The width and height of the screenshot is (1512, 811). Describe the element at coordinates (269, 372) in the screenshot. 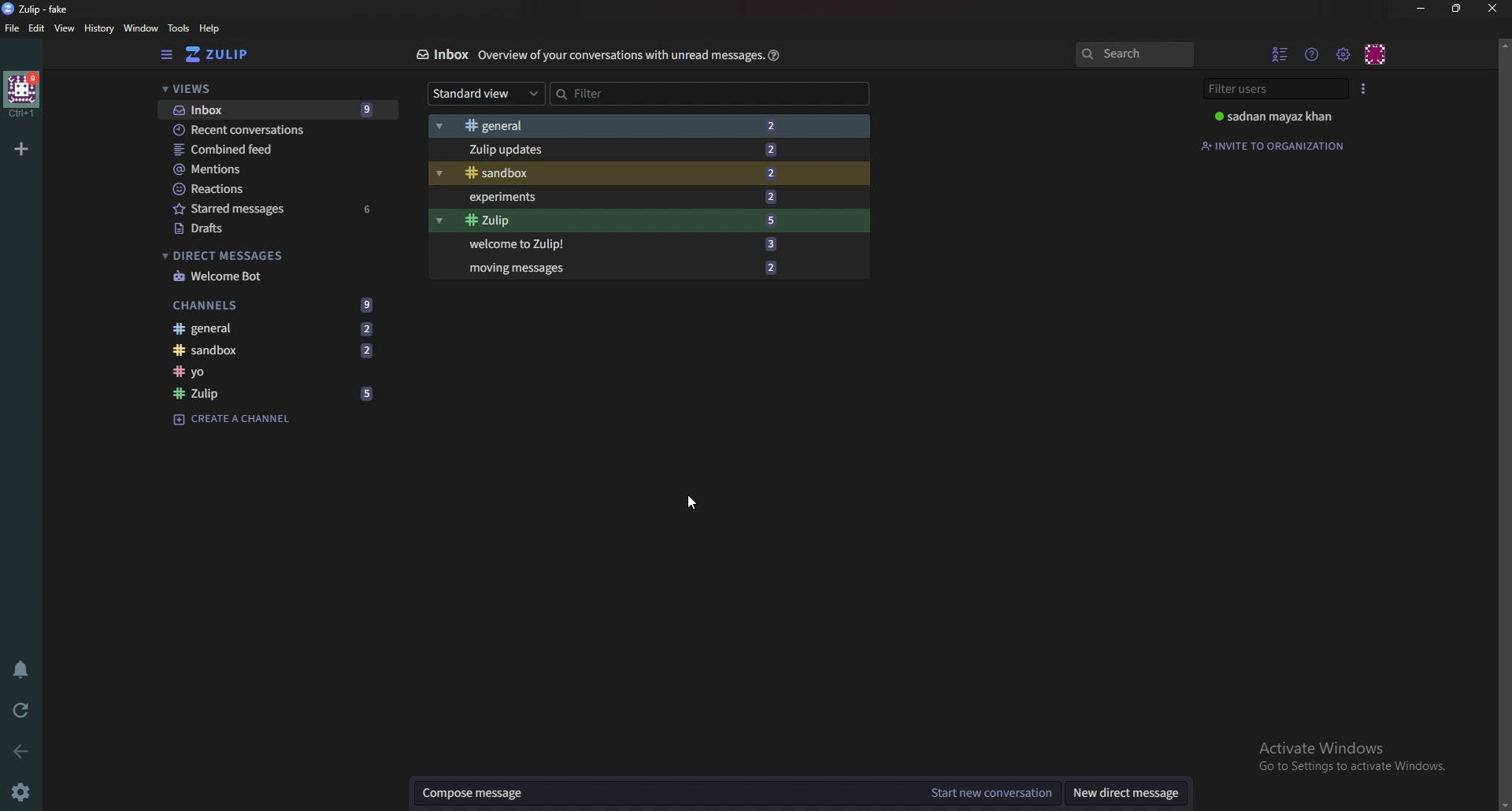

I see `Channel` at that location.